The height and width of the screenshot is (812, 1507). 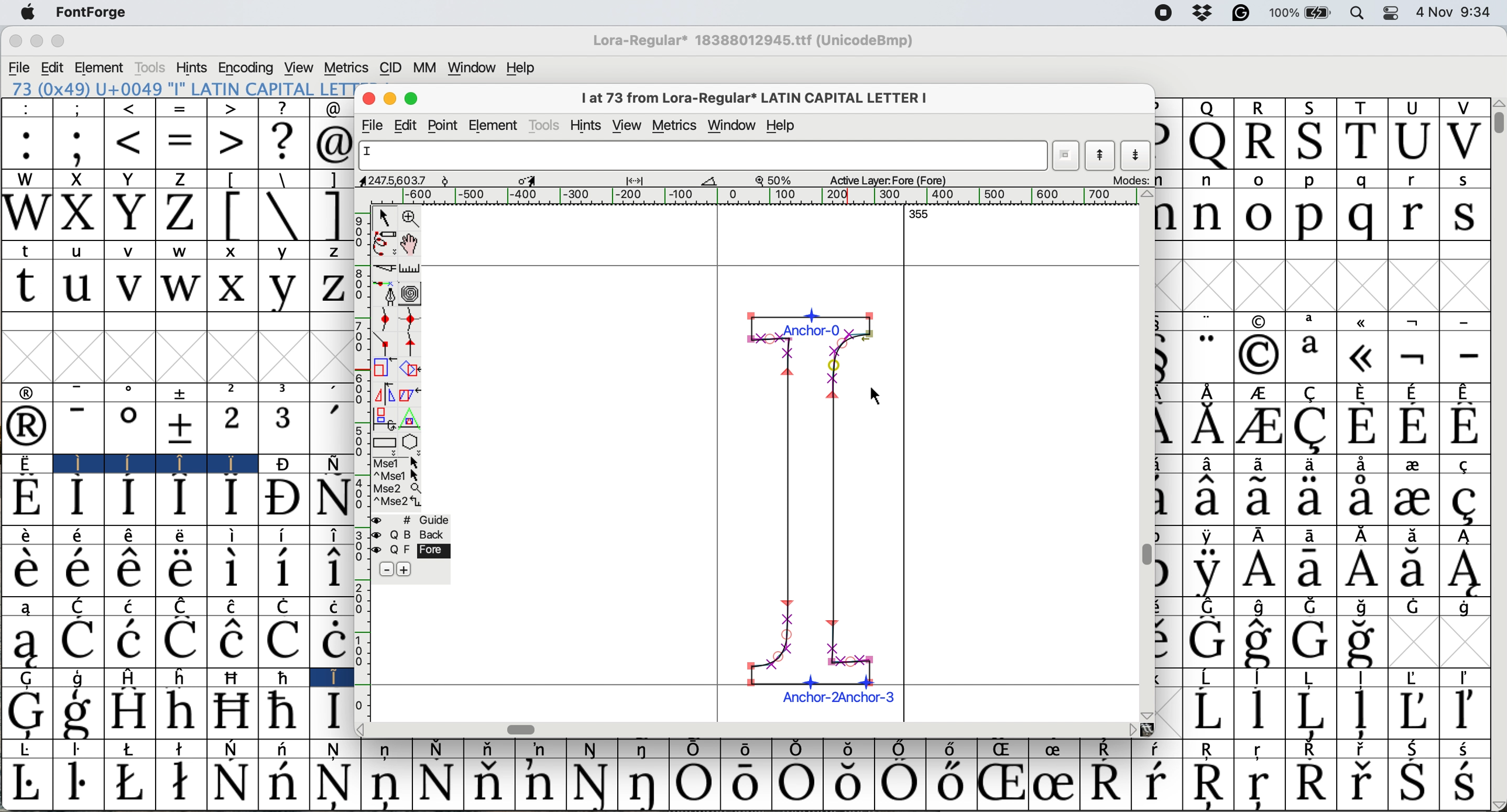 What do you see at coordinates (1000, 785) in the screenshot?
I see `Symbol` at bounding box center [1000, 785].